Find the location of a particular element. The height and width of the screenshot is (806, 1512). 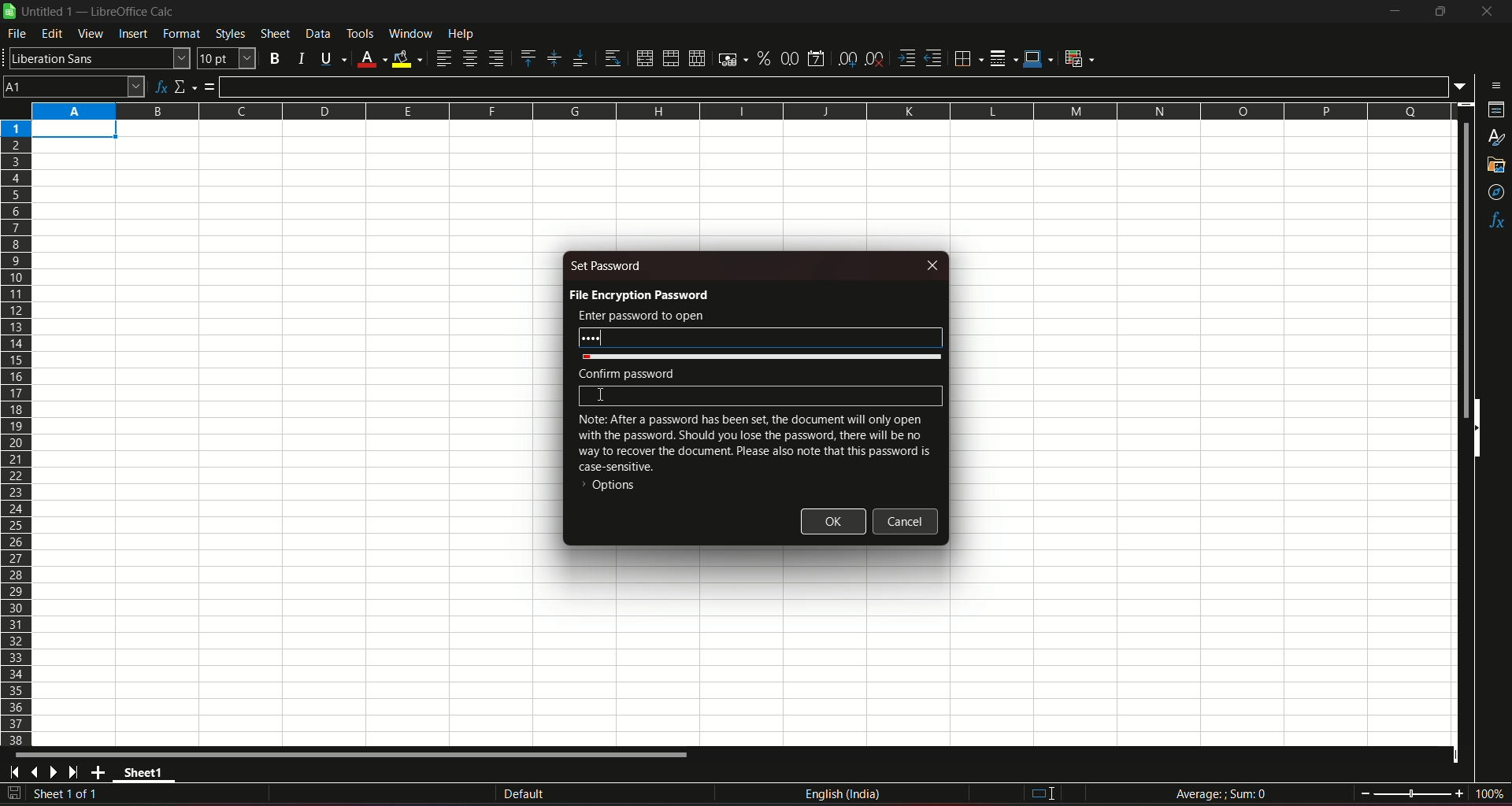

window is located at coordinates (410, 34).